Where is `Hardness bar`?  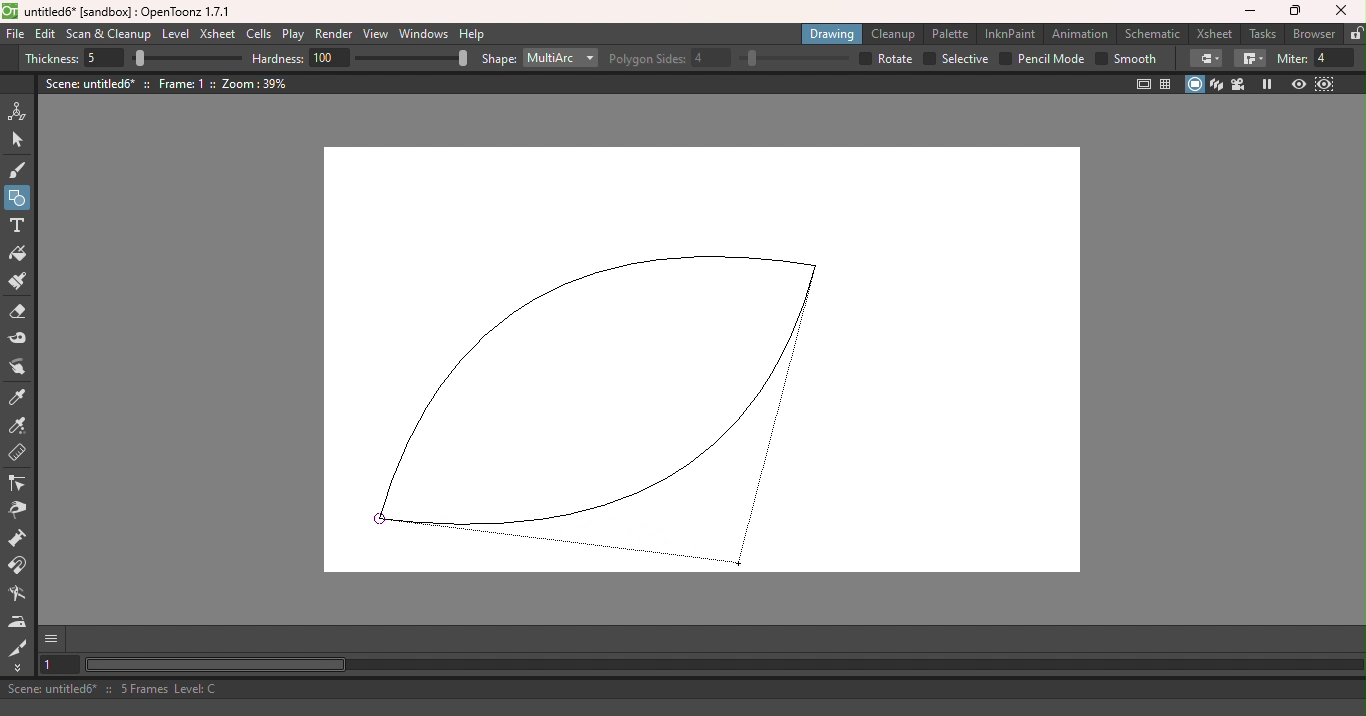
Hardness bar is located at coordinates (412, 58).